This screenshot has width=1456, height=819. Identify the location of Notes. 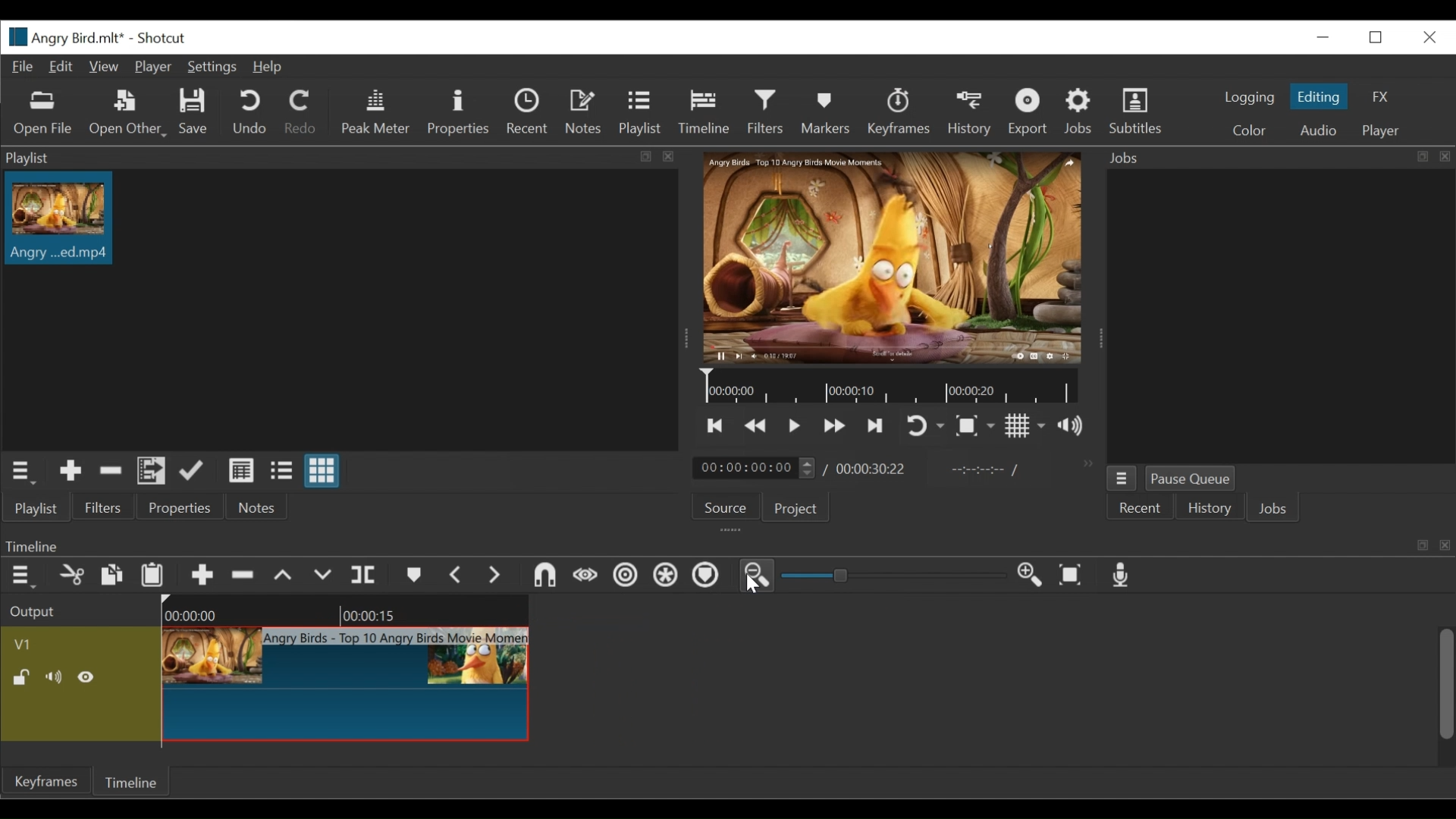
(254, 507).